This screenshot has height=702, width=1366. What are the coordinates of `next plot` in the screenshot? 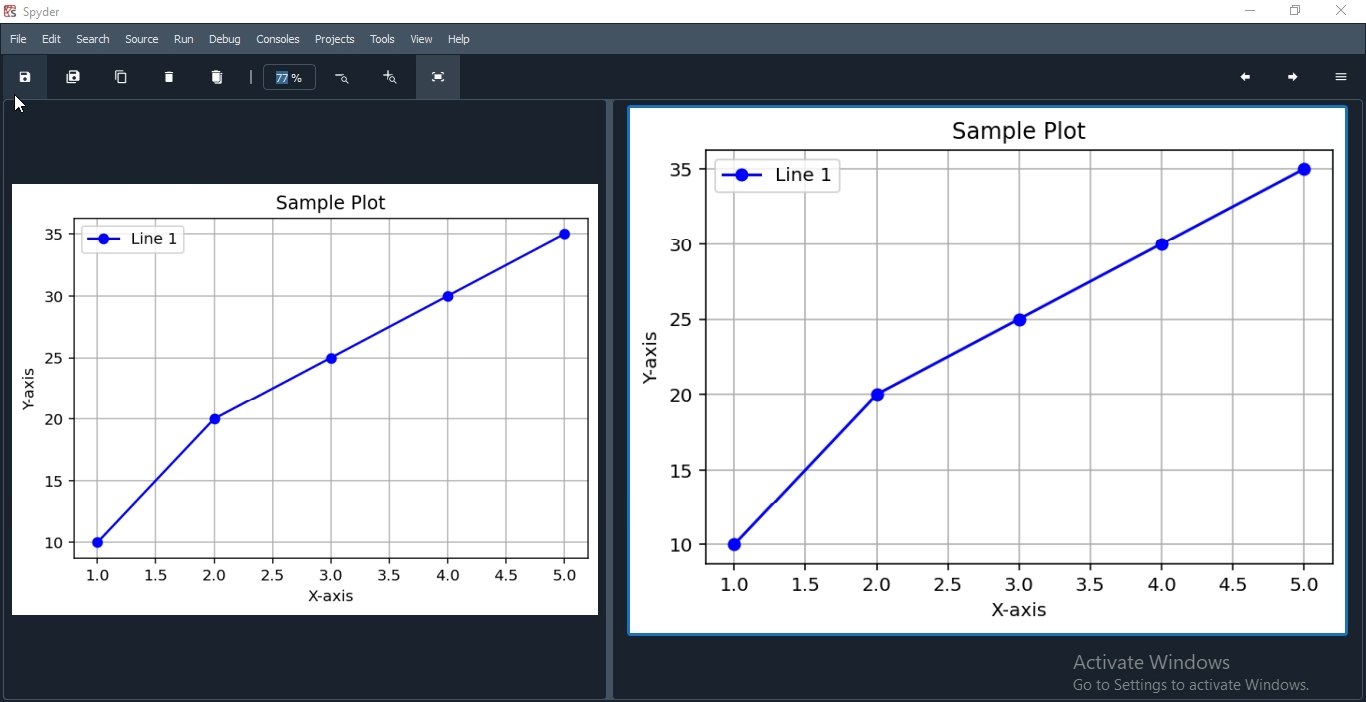 It's located at (1294, 76).